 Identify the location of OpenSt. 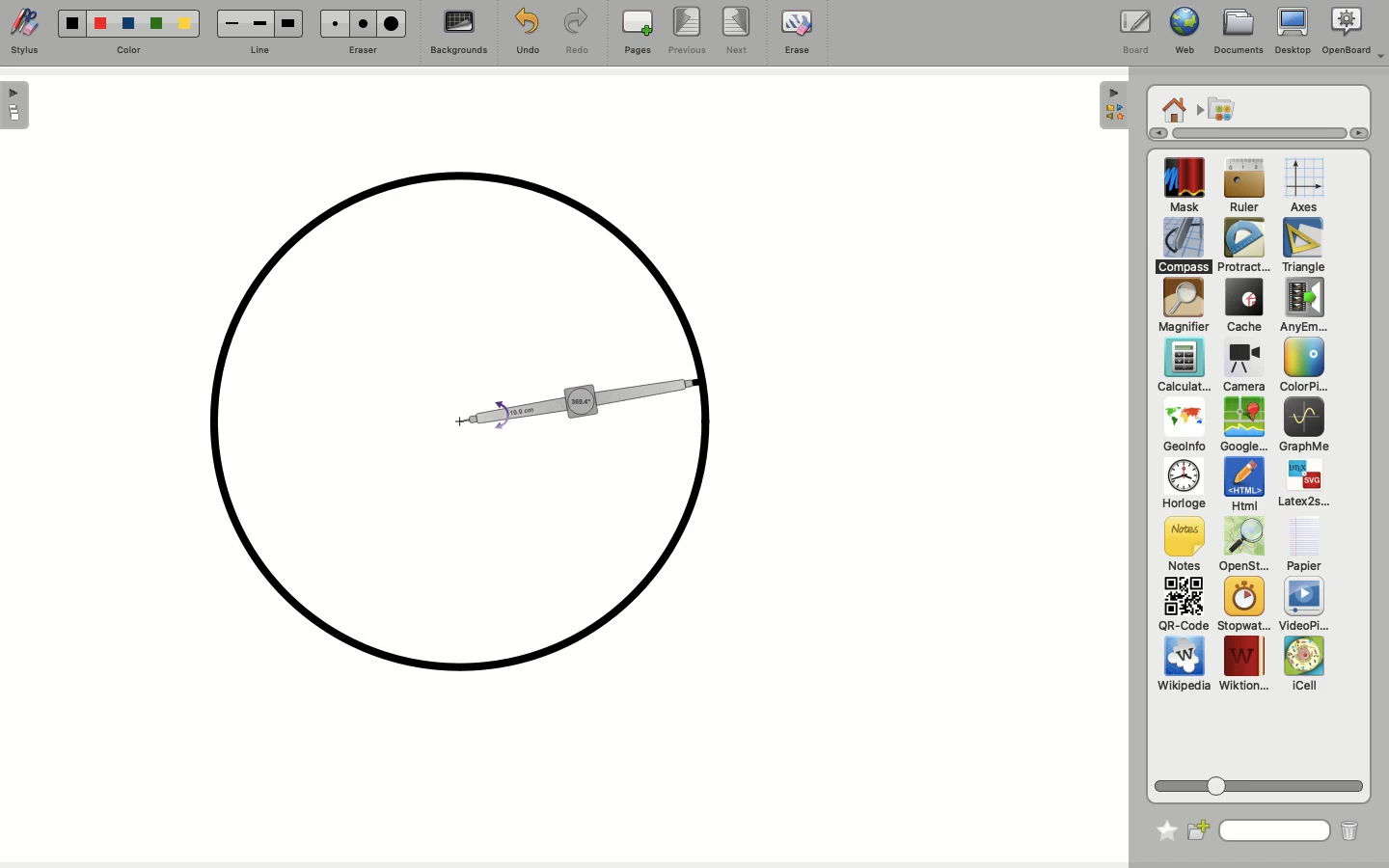
(1239, 547).